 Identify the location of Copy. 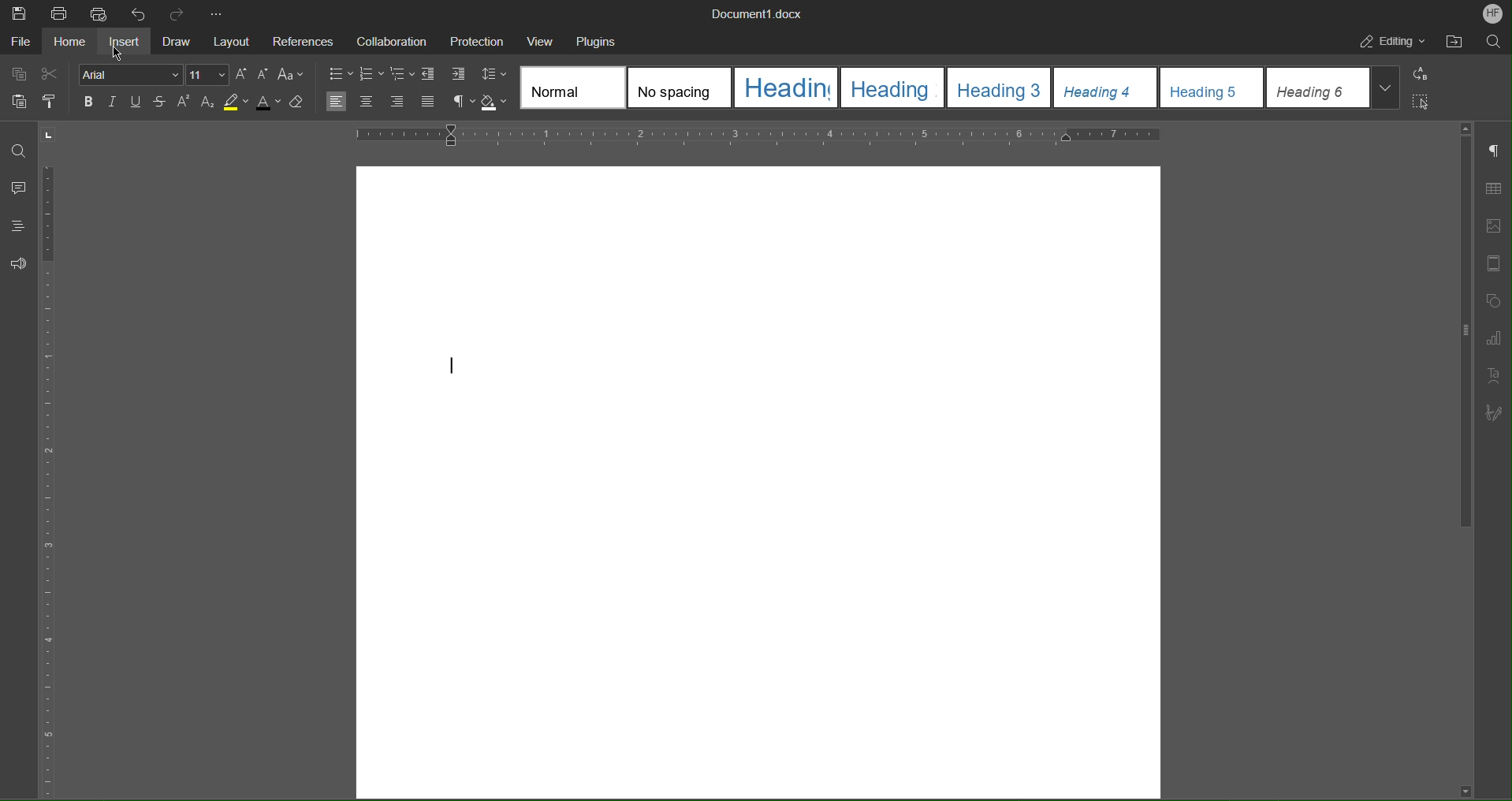
(19, 74).